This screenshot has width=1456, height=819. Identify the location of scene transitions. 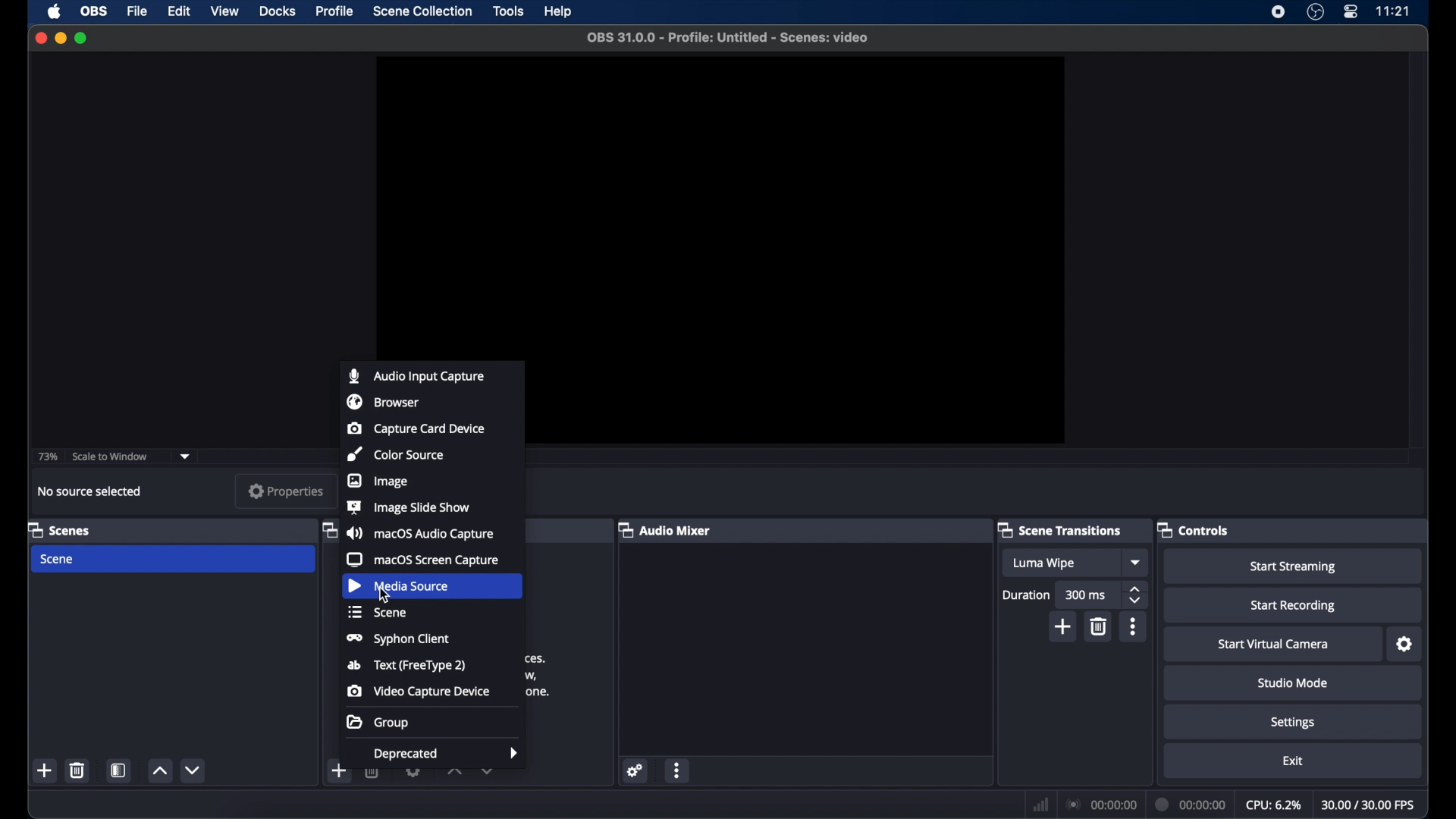
(1060, 529).